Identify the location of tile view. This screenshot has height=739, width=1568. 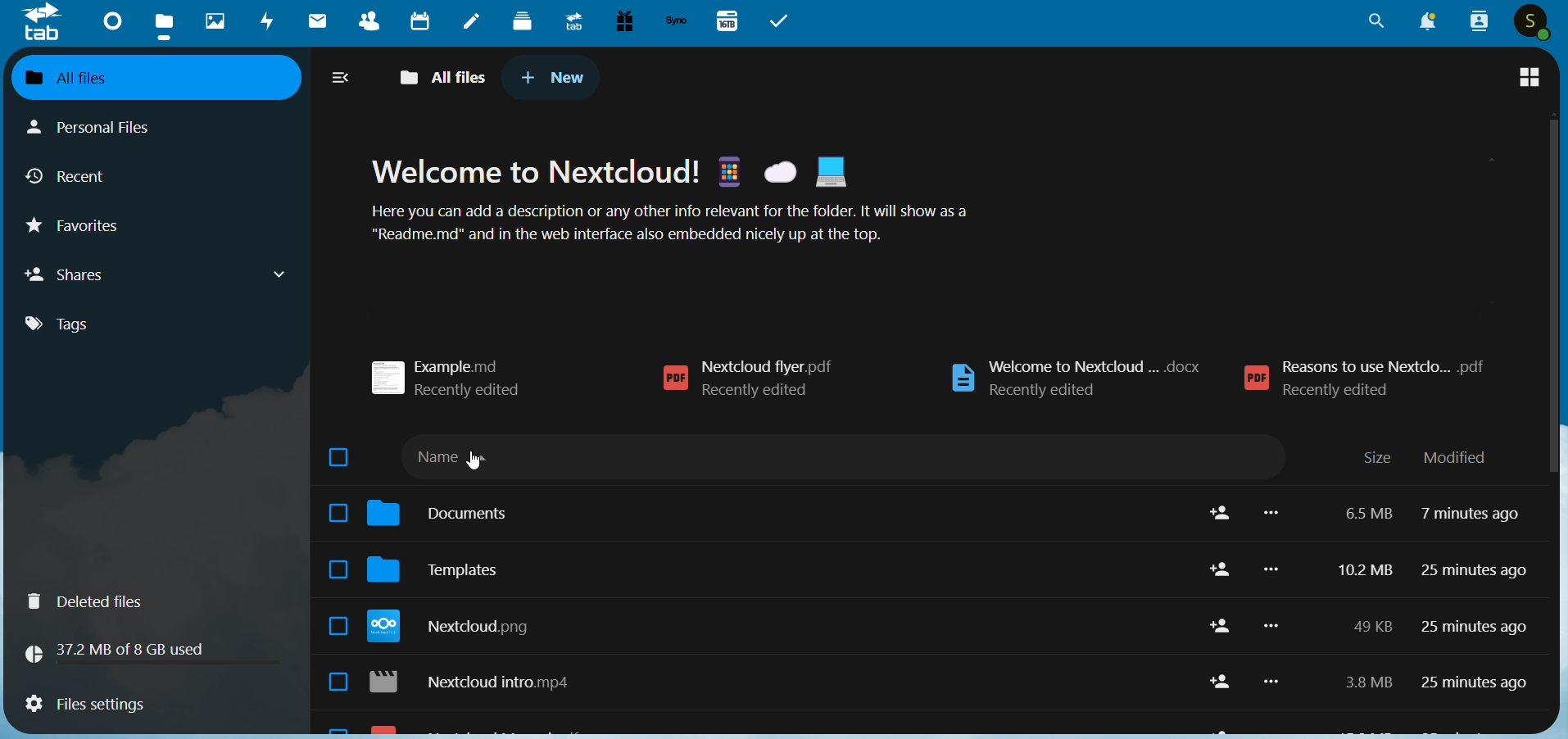
(1529, 76).